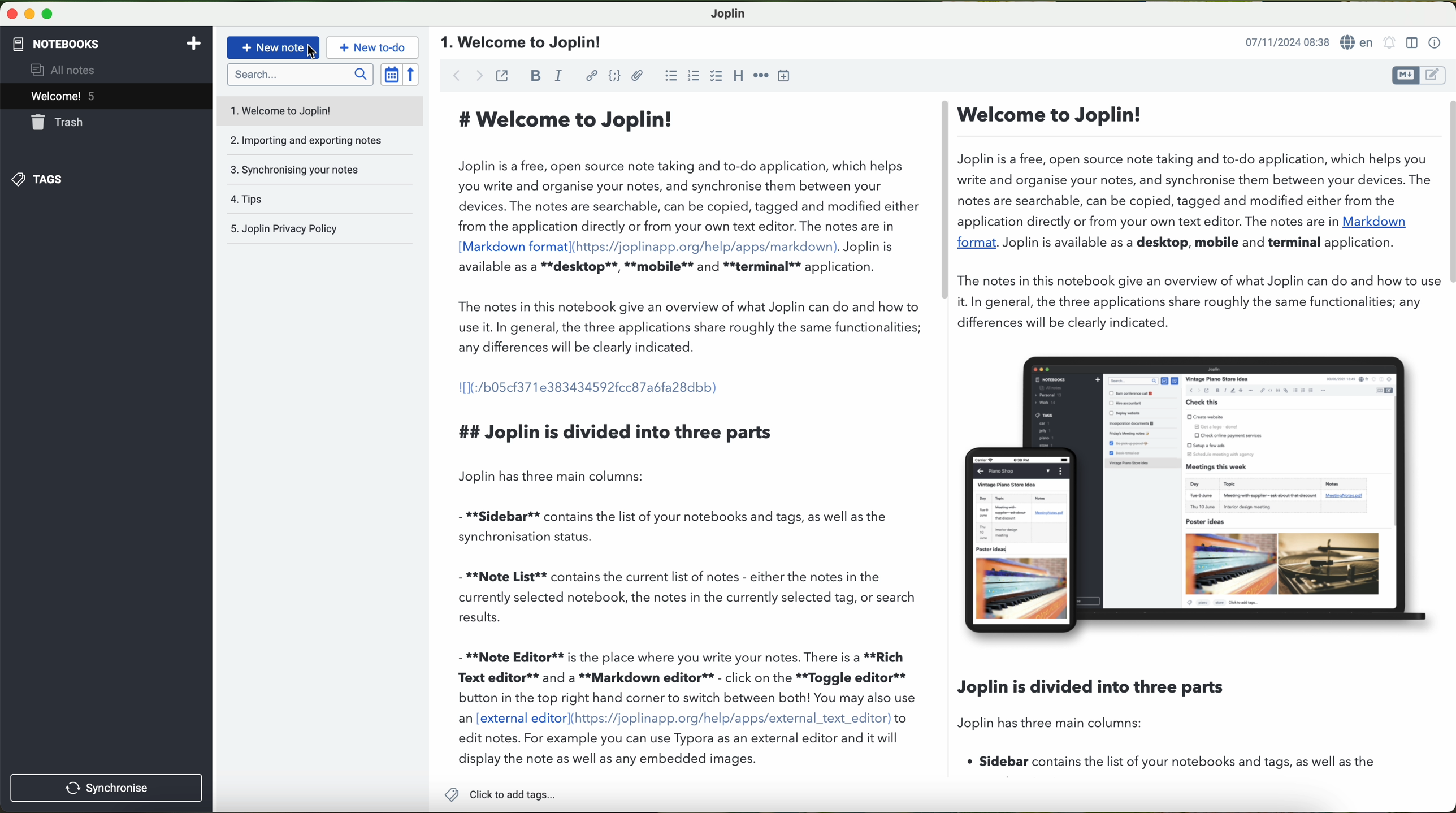  I want to click on synchronising your notes, so click(320, 170).